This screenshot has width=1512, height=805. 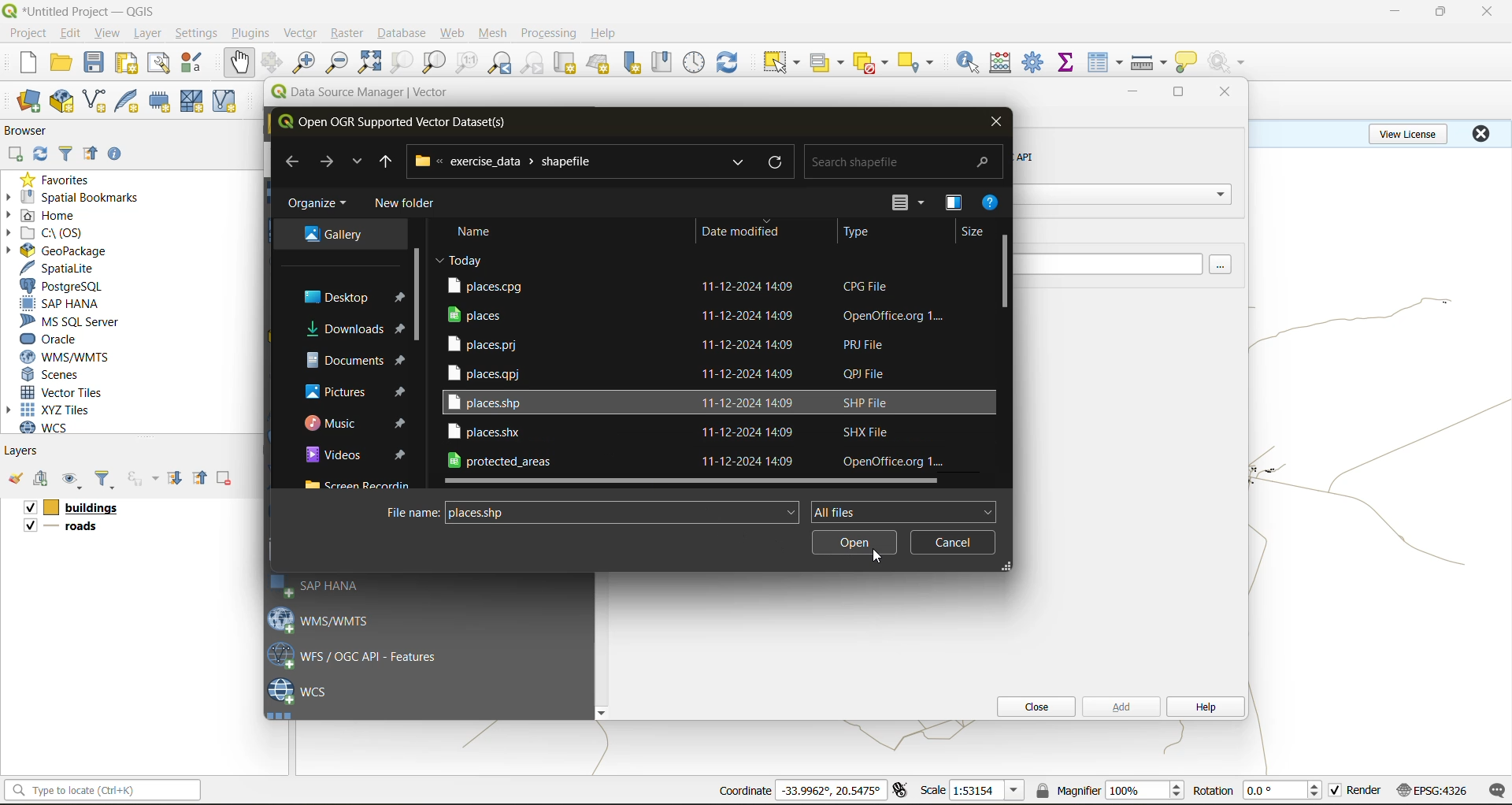 I want to click on vector tiles, so click(x=65, y=391).